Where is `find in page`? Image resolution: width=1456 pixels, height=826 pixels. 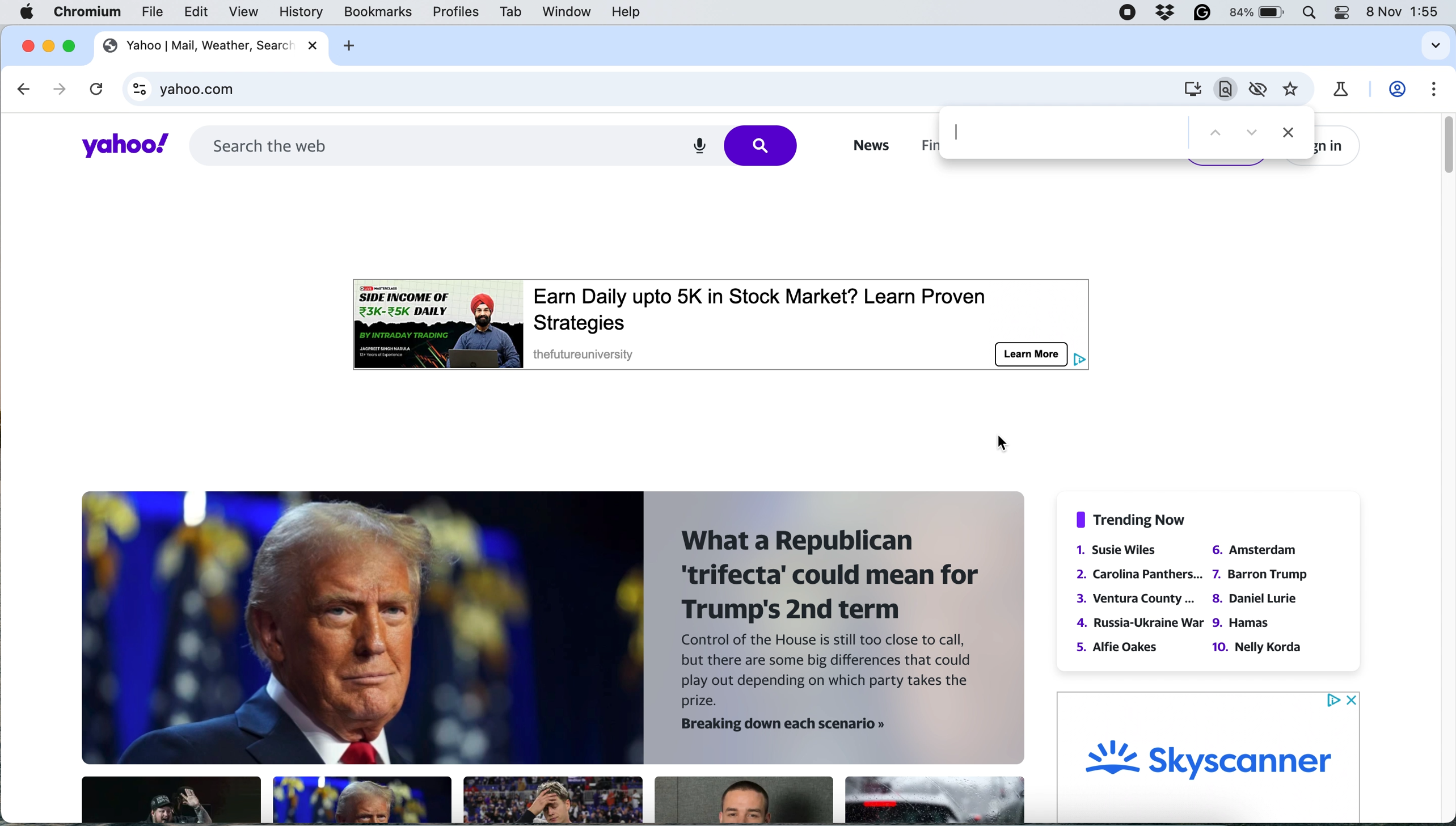 find in page is located at coordinates (1062, 135).